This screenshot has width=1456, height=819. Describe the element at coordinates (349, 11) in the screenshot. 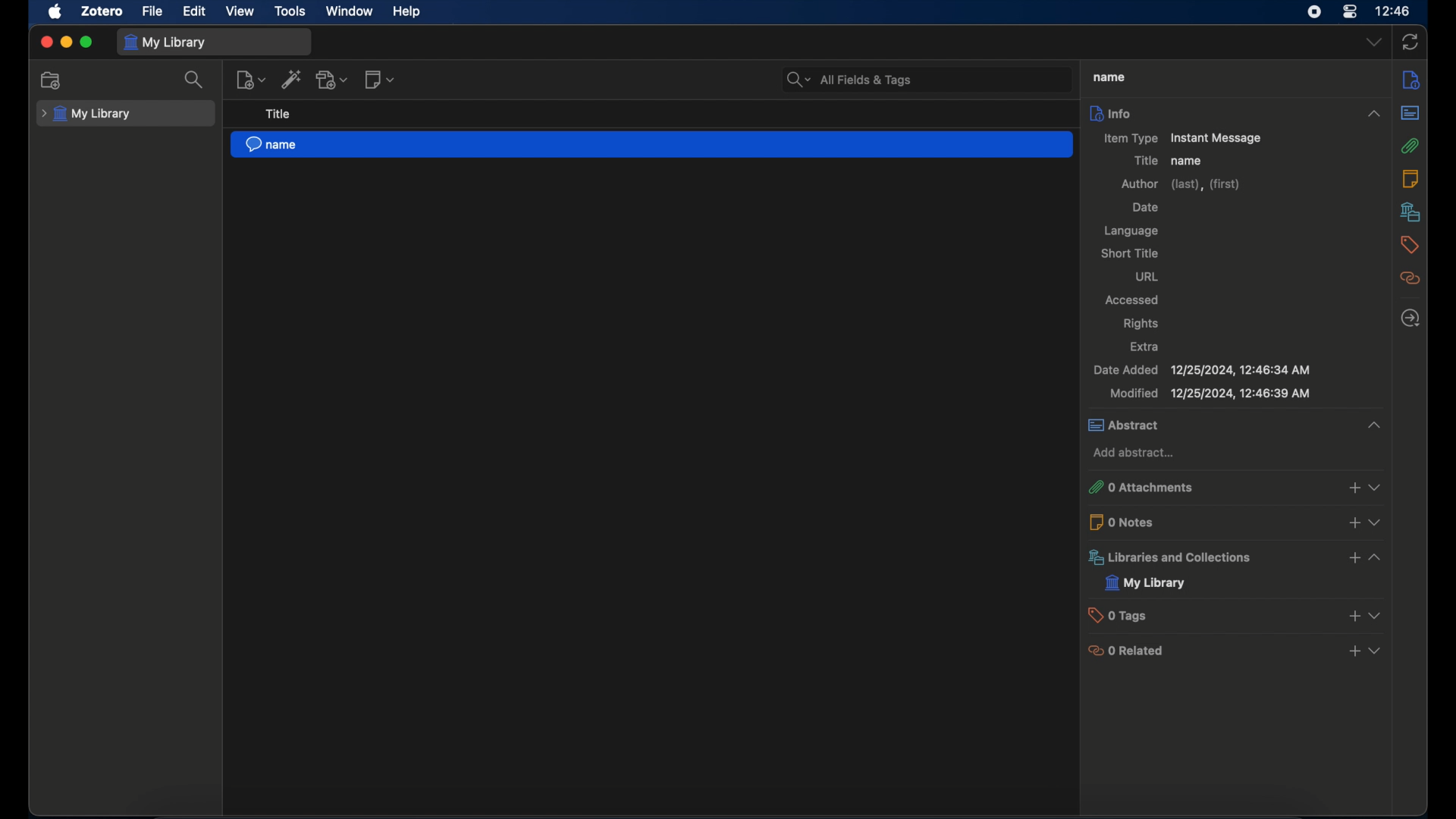

I see `window` at that location.